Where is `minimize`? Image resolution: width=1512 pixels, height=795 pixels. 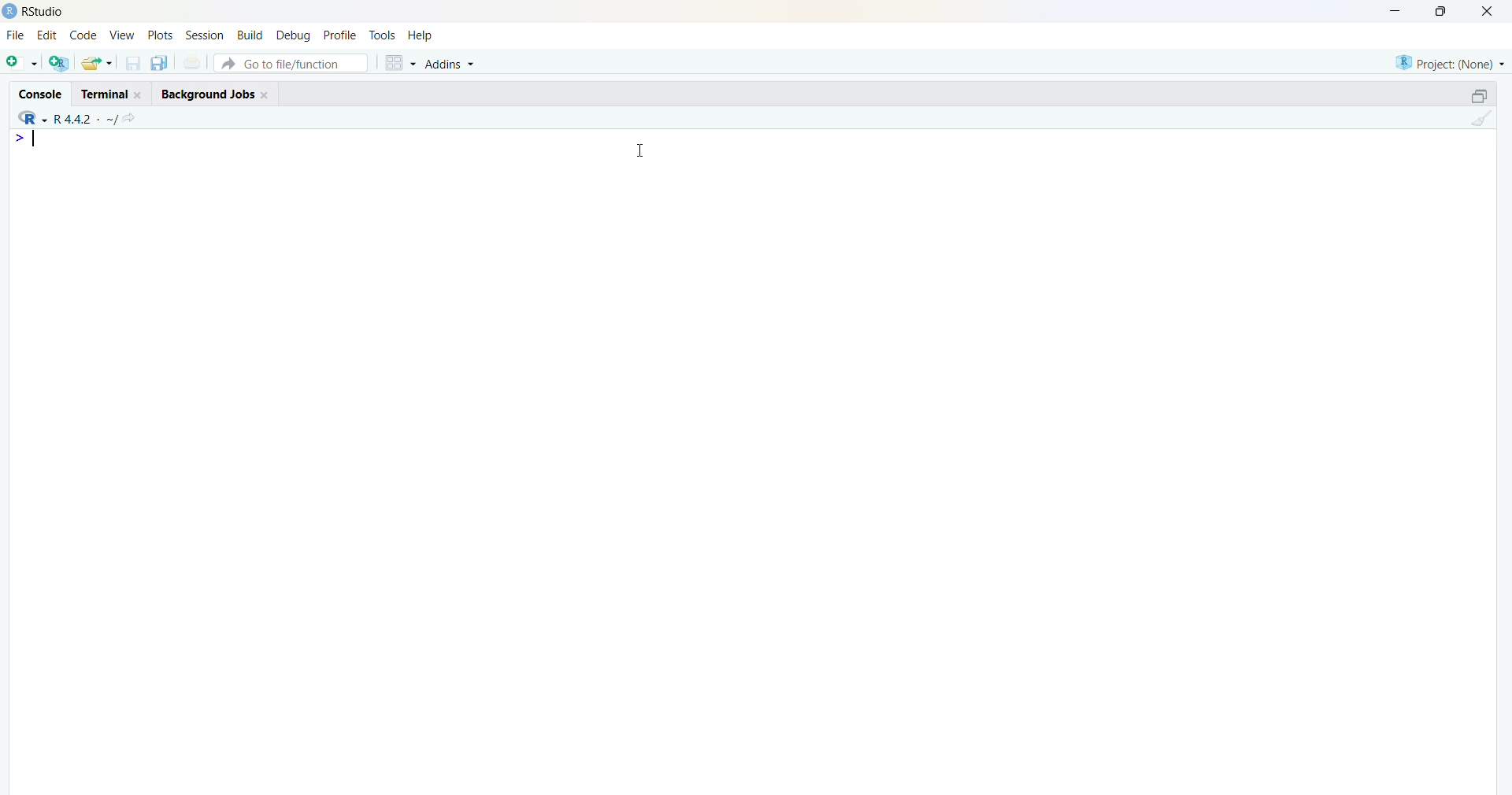
minimize is located at coordinates (1400, 11).